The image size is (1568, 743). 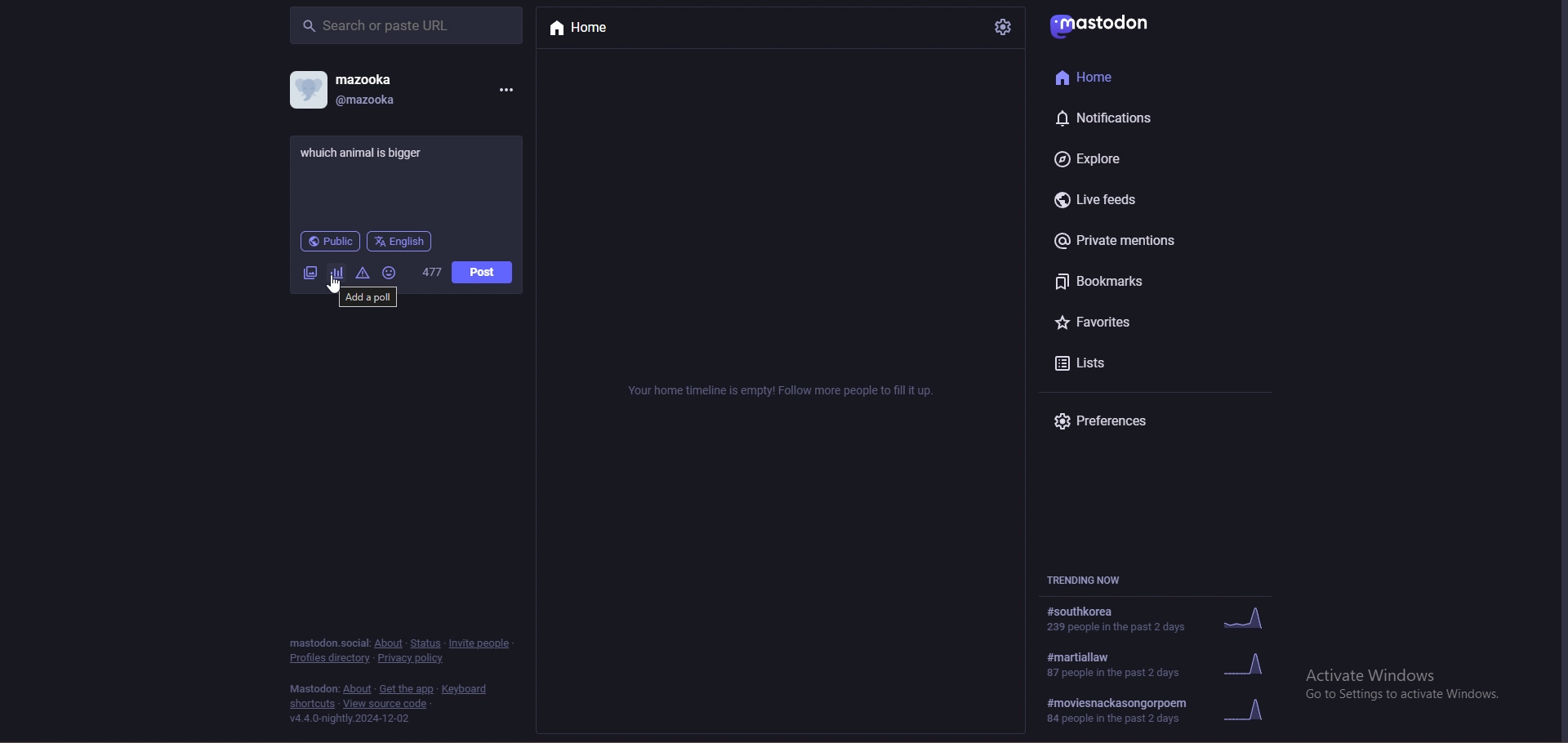 I want to click on View source code, so click(x=390, y=704).